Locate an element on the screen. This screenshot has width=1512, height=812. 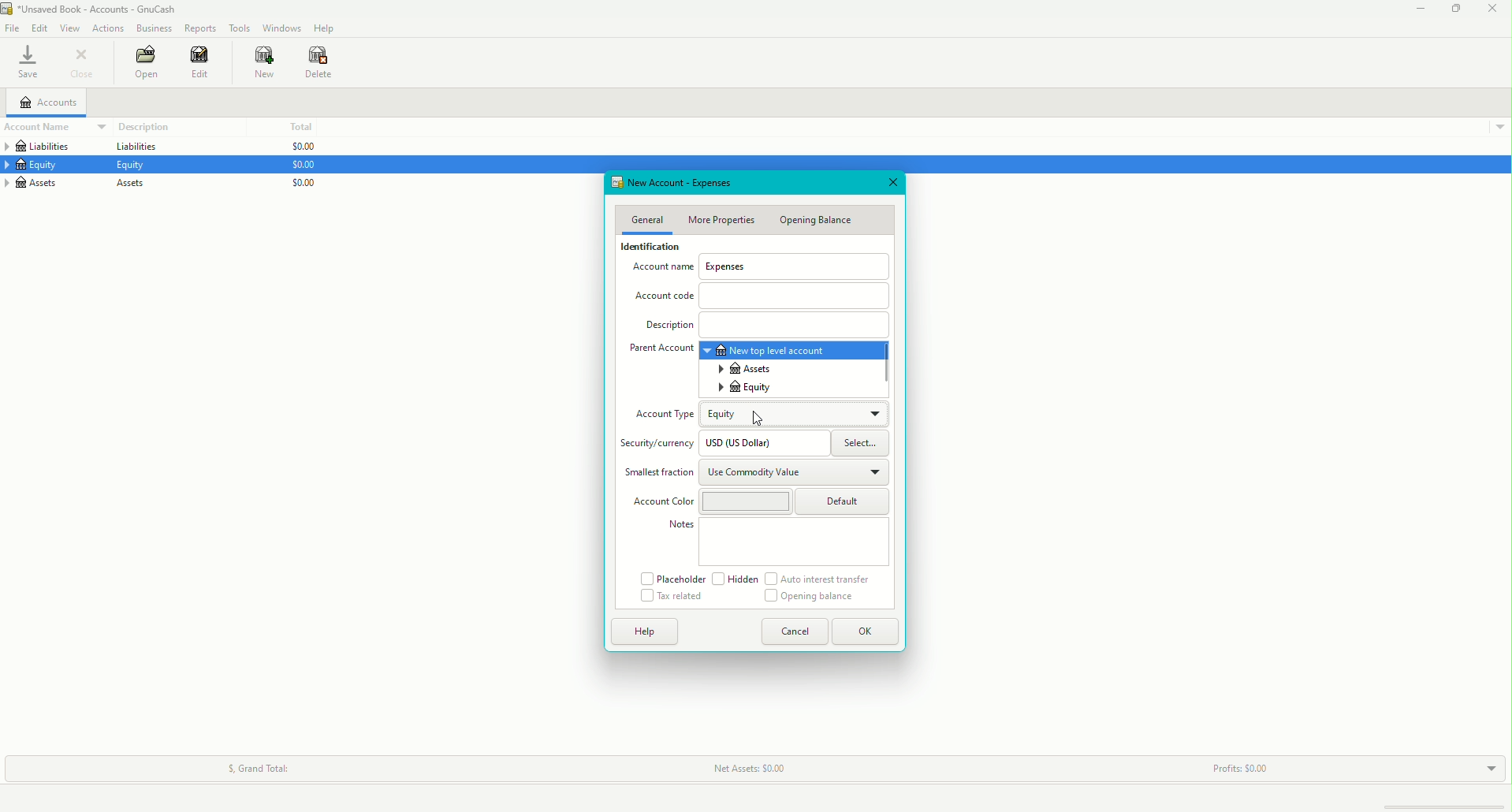
Notes is located at coordinates (777, 542).